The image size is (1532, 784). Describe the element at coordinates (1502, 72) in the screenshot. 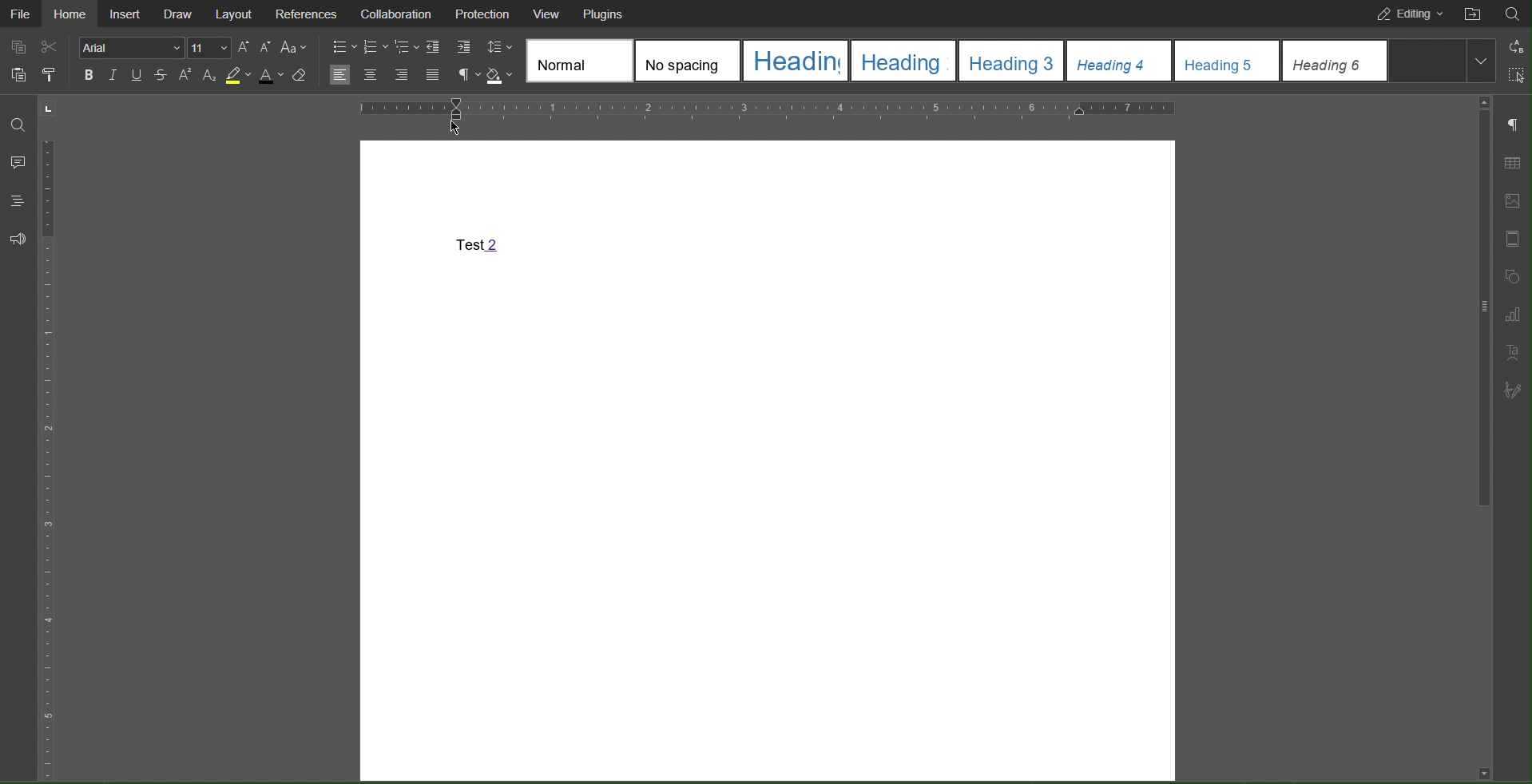

I see `Selection` at that location.